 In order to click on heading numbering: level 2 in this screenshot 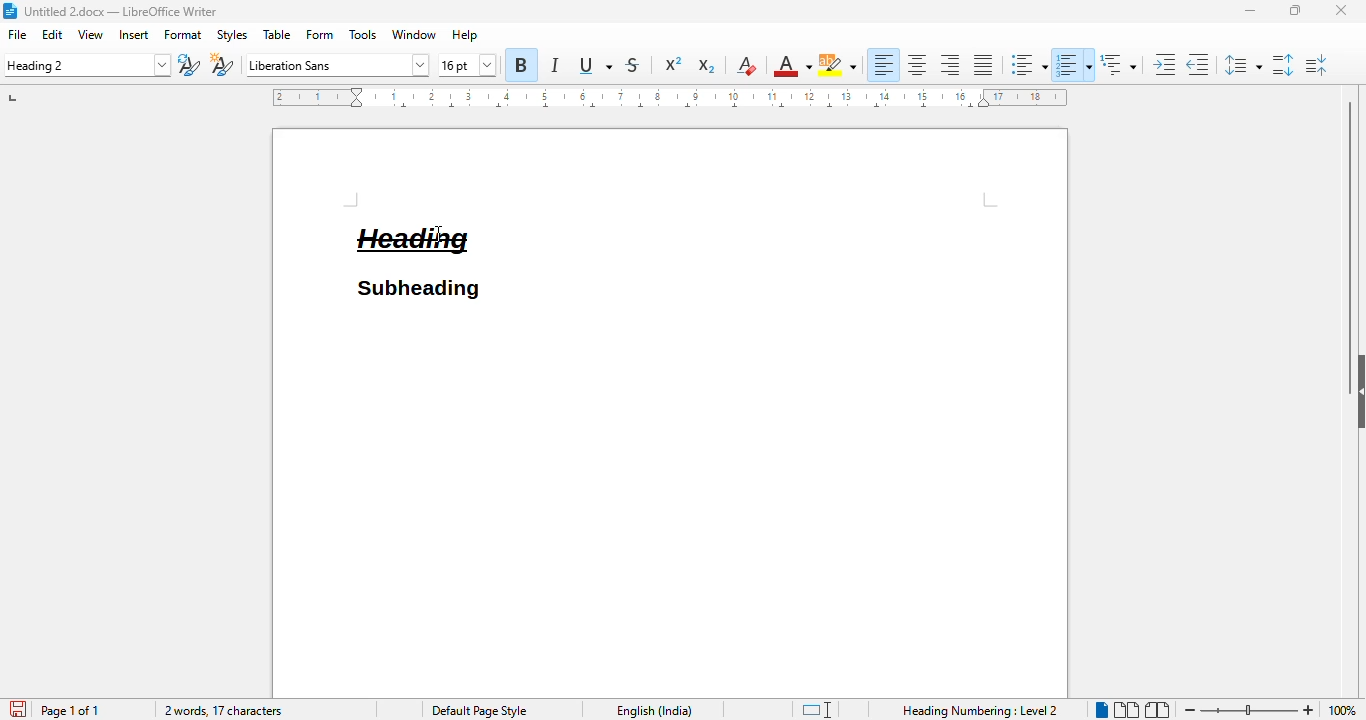, I will do `click(982, 711)`.